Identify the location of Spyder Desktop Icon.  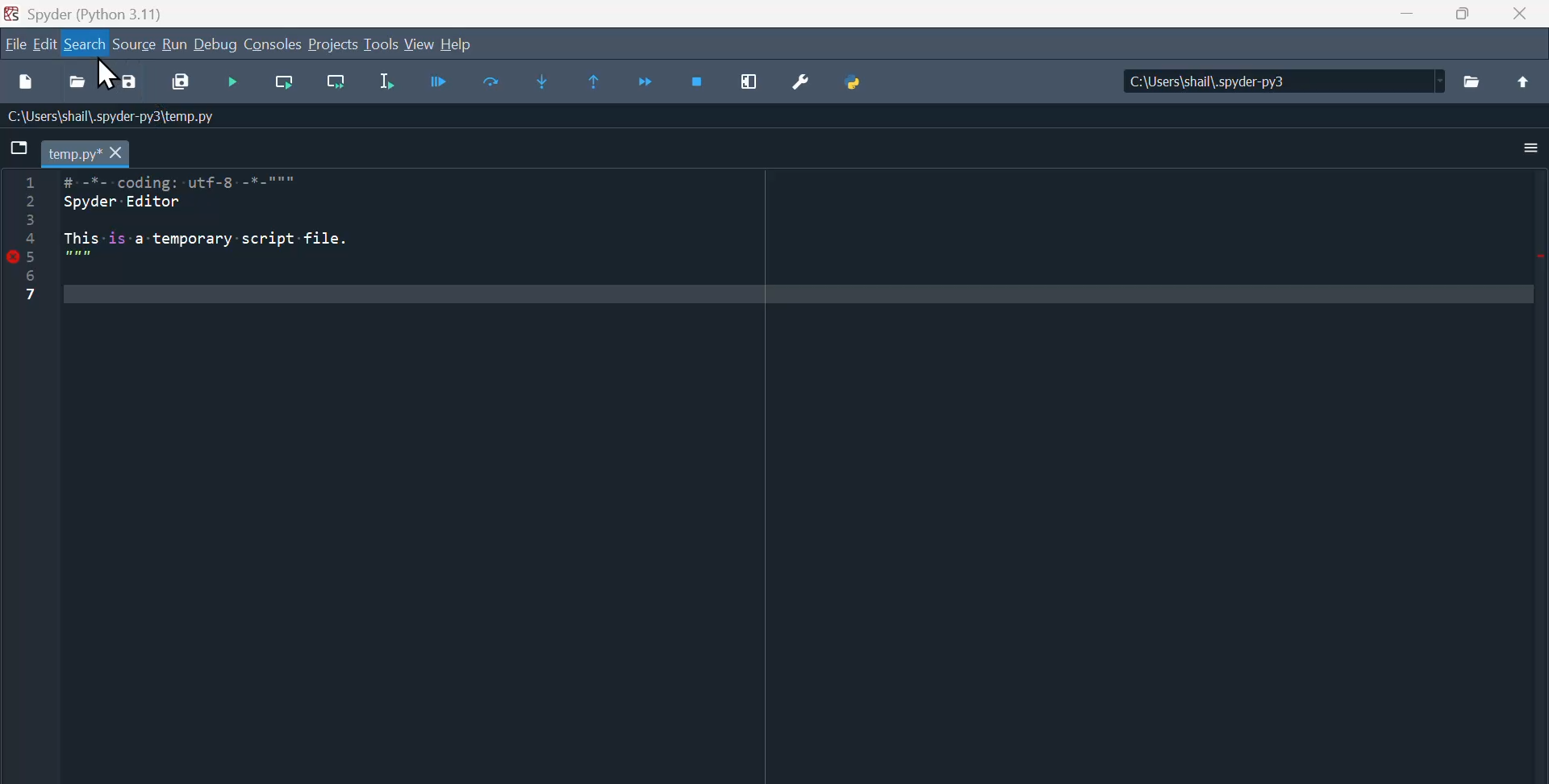
(10, 14).